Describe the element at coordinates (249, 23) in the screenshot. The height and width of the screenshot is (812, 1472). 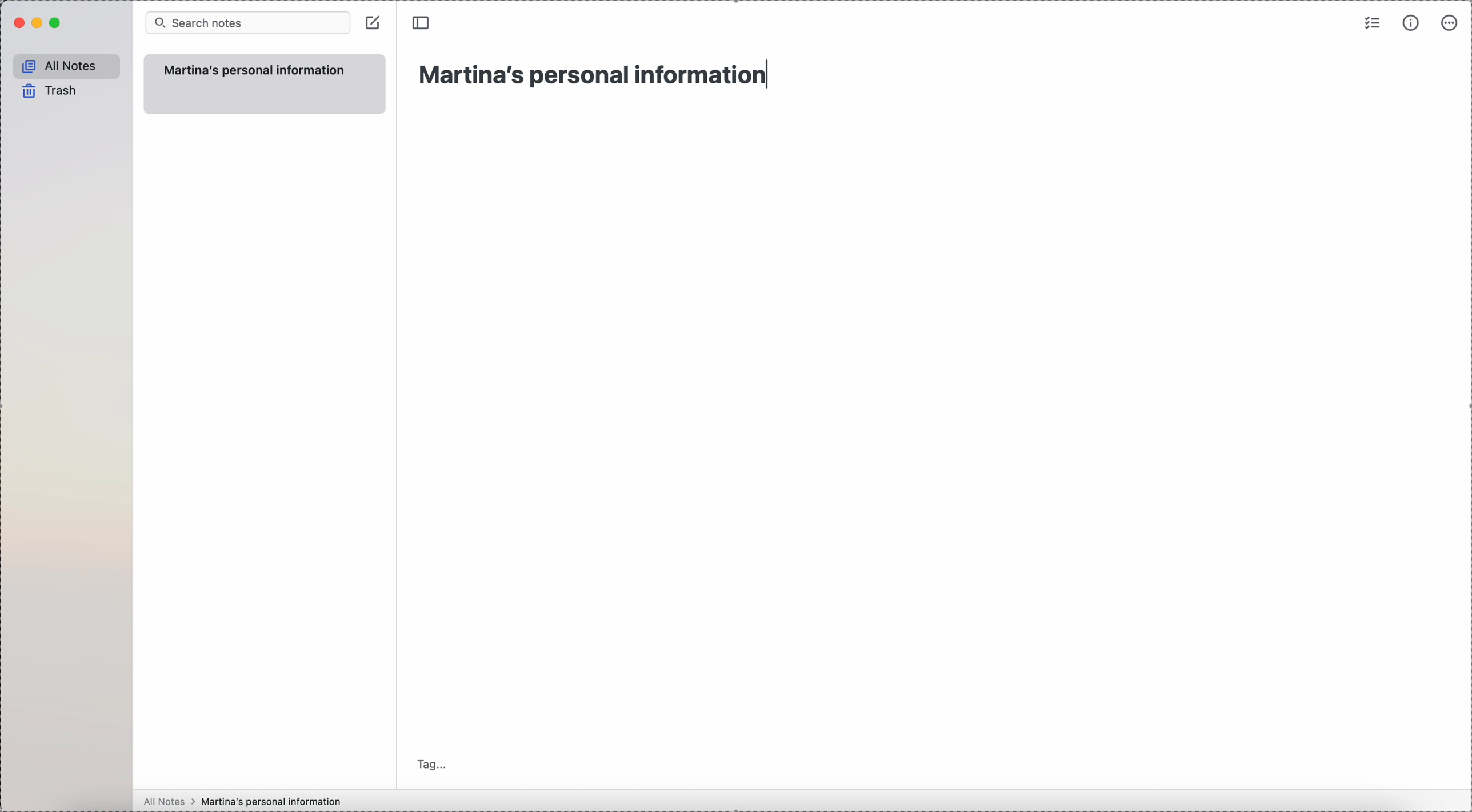
I see `search bar` at that location.